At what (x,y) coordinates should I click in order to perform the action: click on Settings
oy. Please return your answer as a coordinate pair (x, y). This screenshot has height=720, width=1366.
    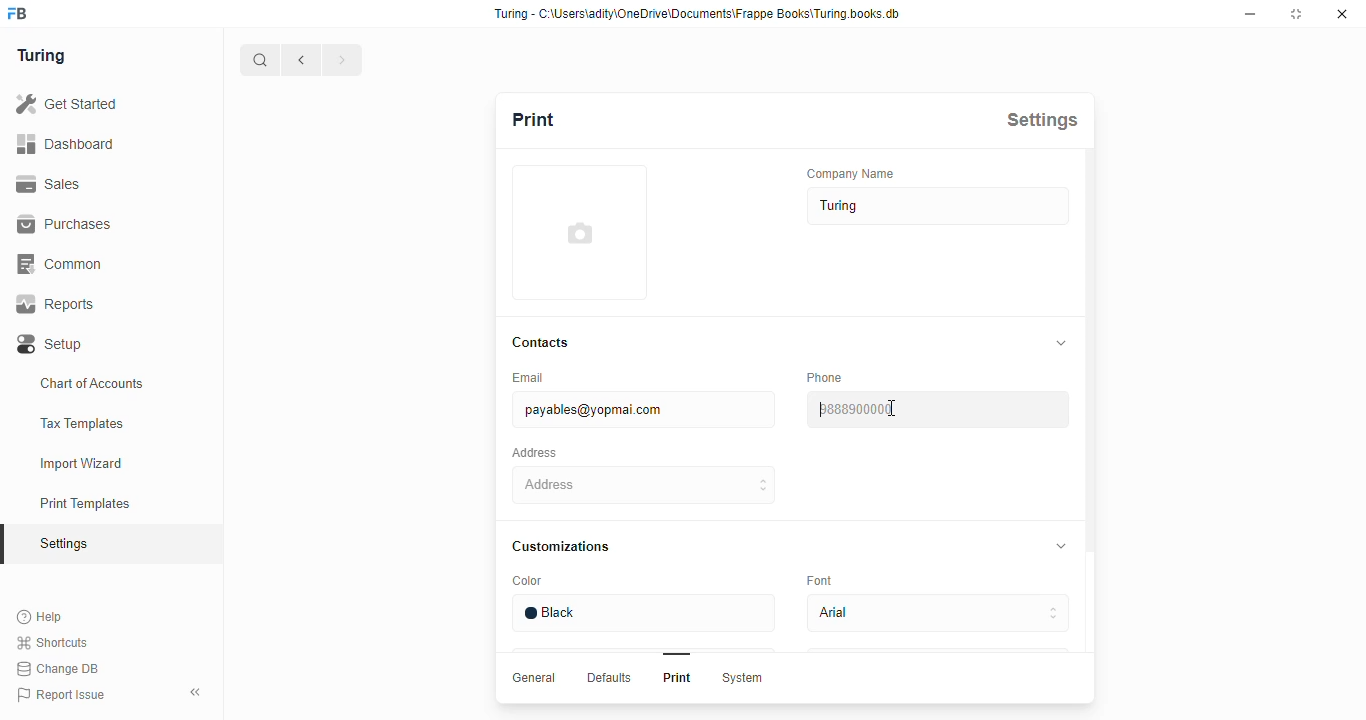
    Looking at the image, I should click on (98, 546).